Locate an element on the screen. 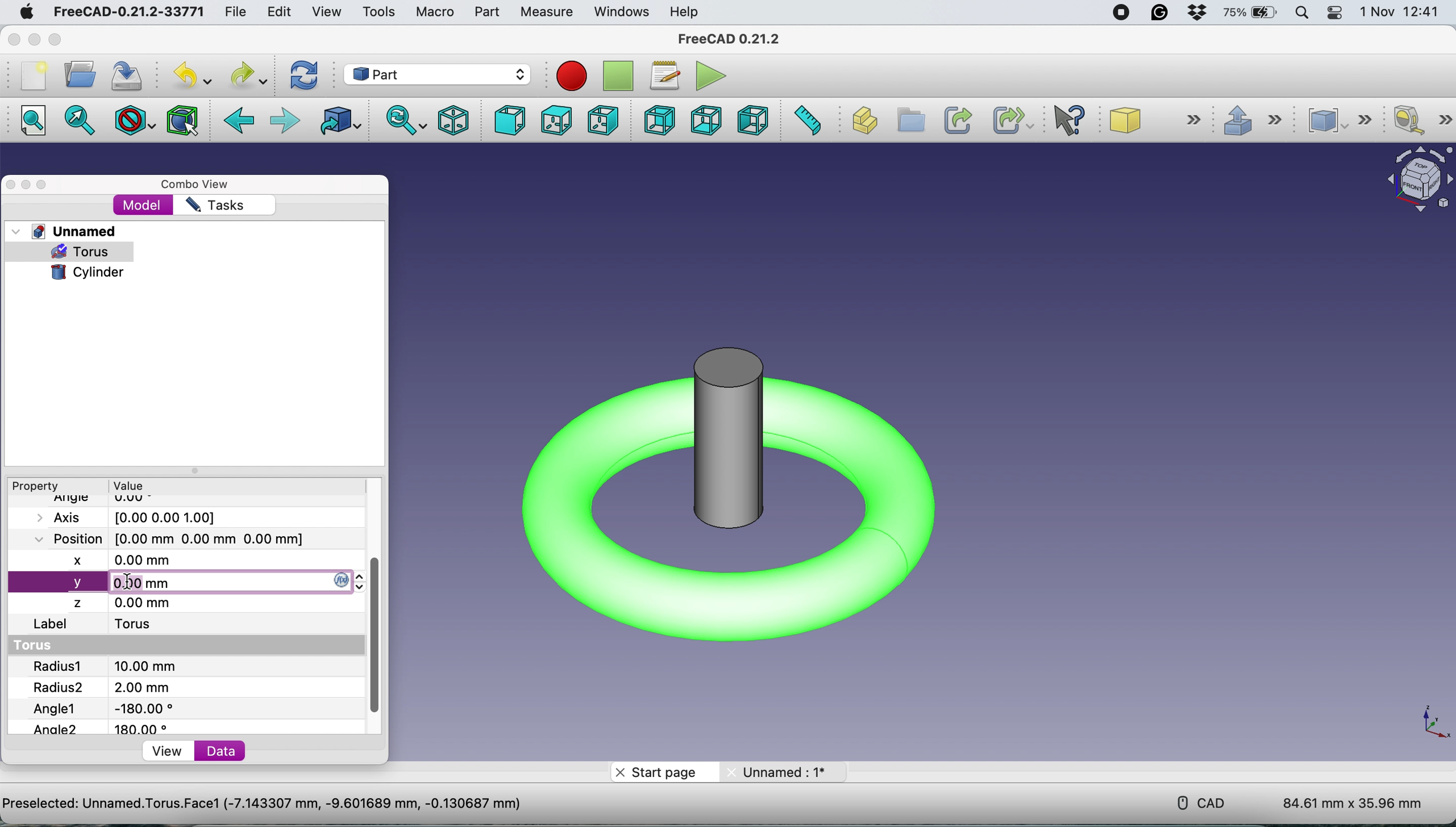 Image resolution: width=1456 pixels, height=827 pixels. Axis is located at coordinates (139, 517).